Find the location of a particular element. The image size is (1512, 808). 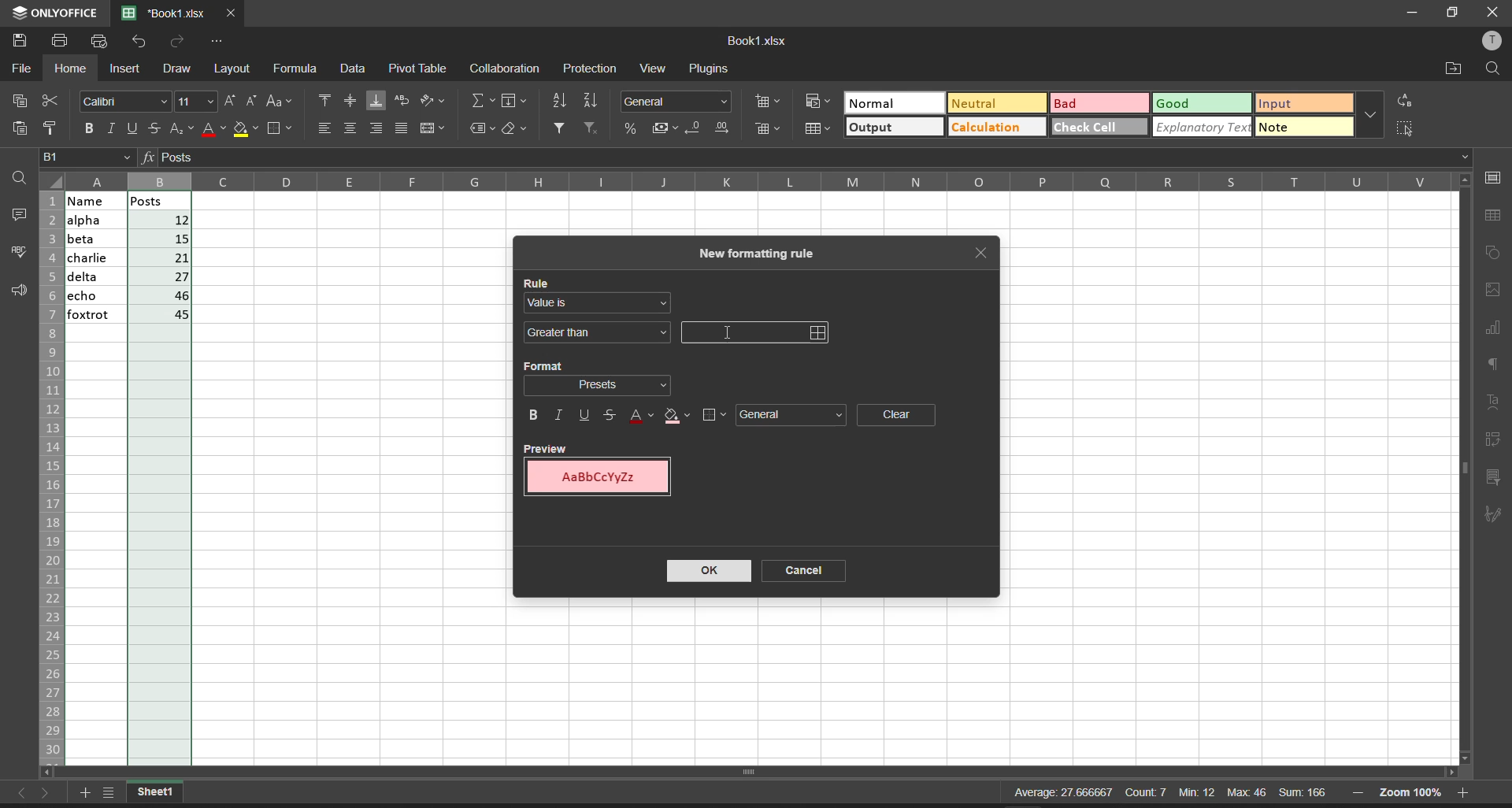

cursor is located at coordinates (730, 334).